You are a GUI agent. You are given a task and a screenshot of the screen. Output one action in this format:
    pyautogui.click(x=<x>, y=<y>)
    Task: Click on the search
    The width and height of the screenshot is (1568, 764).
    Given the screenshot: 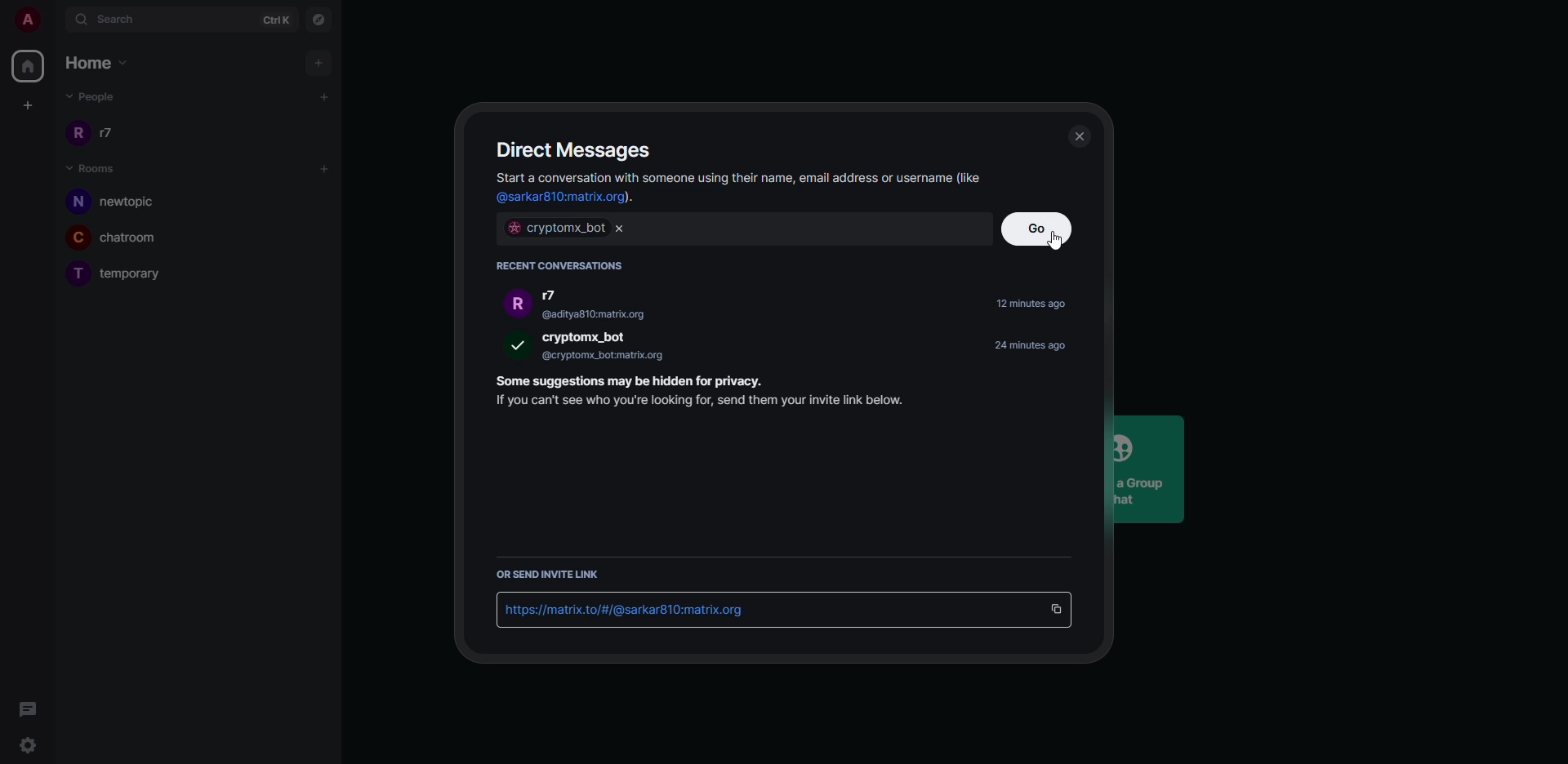 What is the action you would take?
    pyautogui.click(x=114, y=20)
    